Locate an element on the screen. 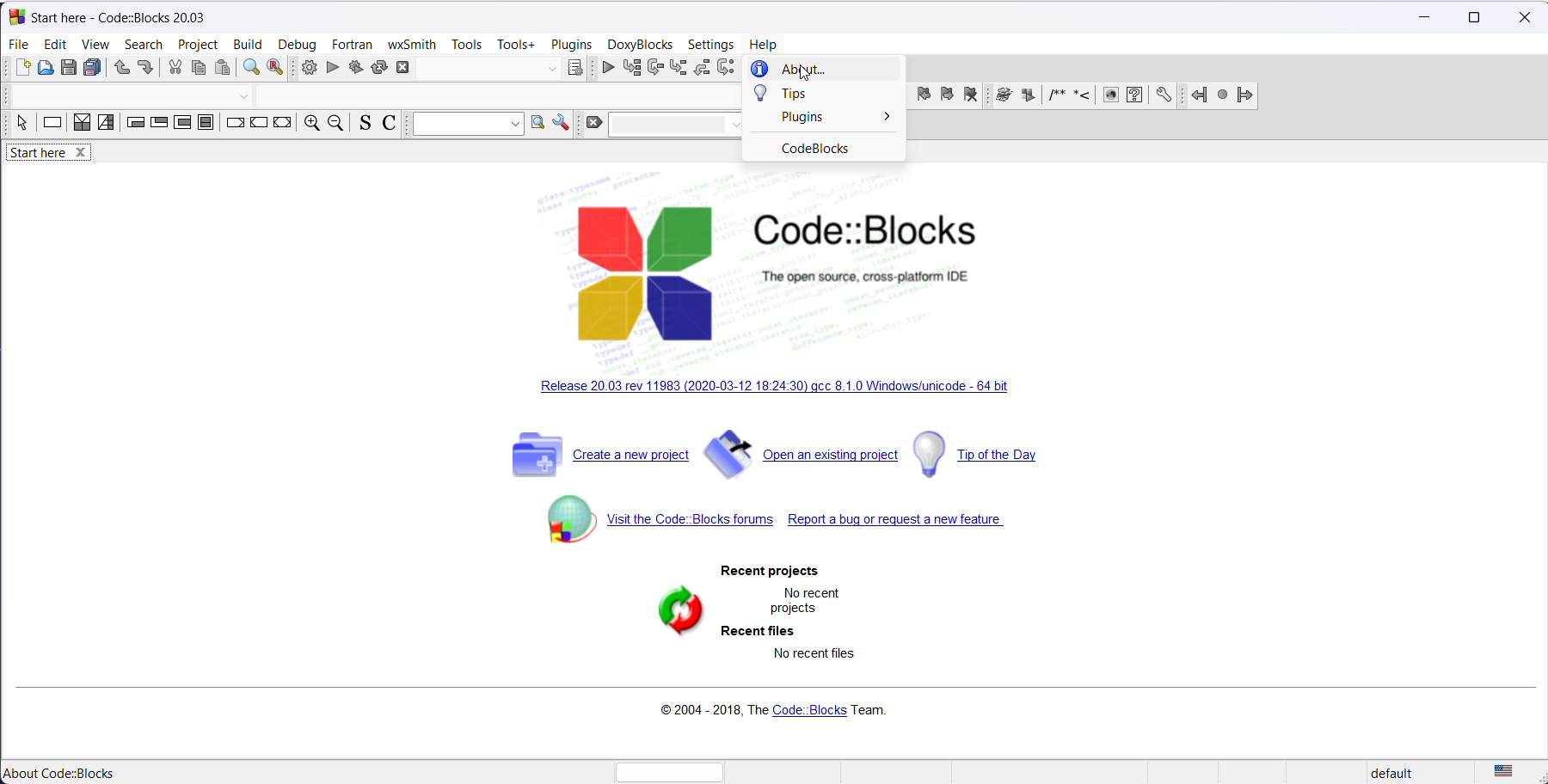 Image resolution: width=1548 pixels, height=784 pixels. previous bookmark is located at coordinates (924, 95).